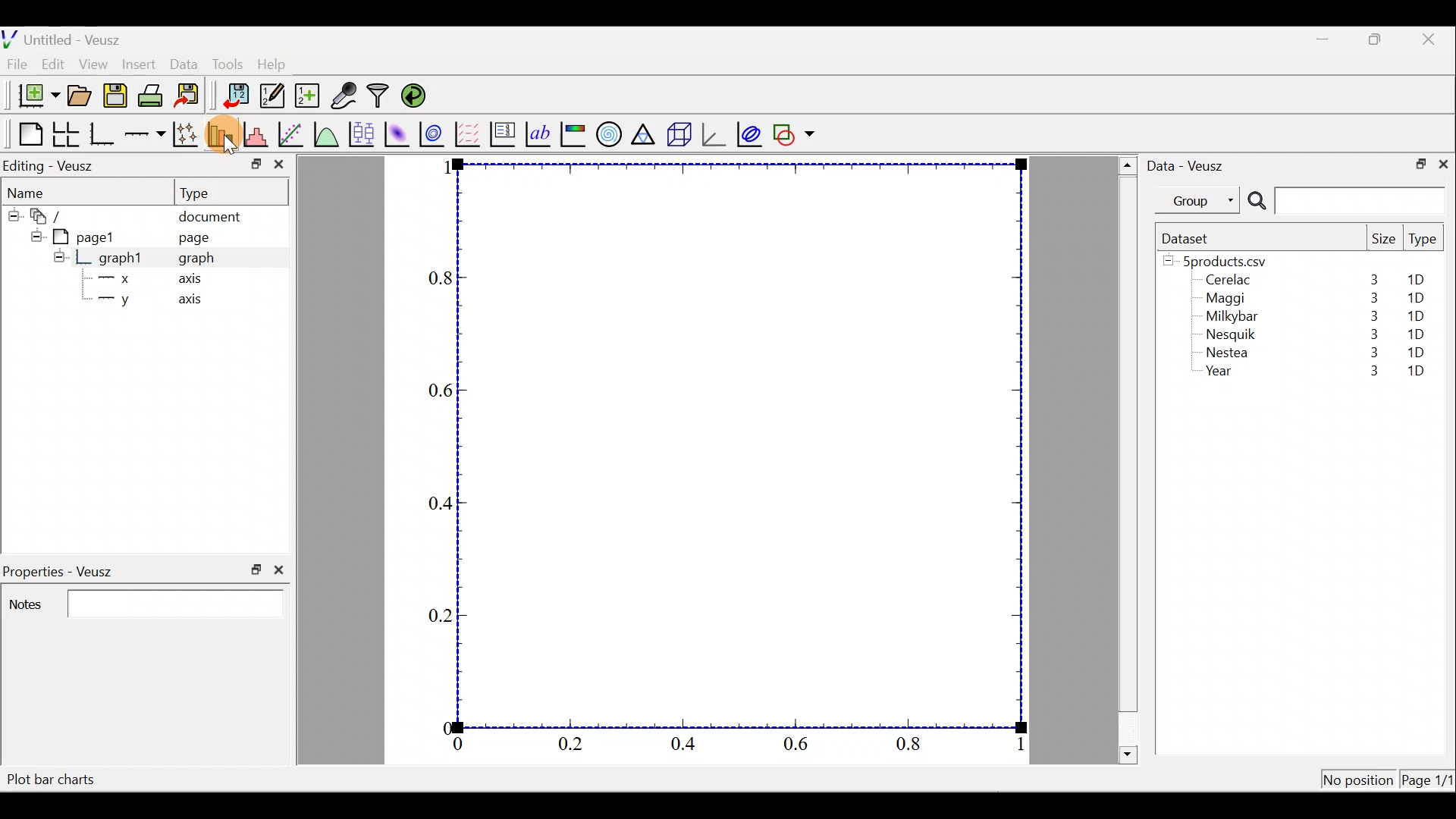 This screenshot has height=819, width=1456. I want to click on View, so click(96, 61).